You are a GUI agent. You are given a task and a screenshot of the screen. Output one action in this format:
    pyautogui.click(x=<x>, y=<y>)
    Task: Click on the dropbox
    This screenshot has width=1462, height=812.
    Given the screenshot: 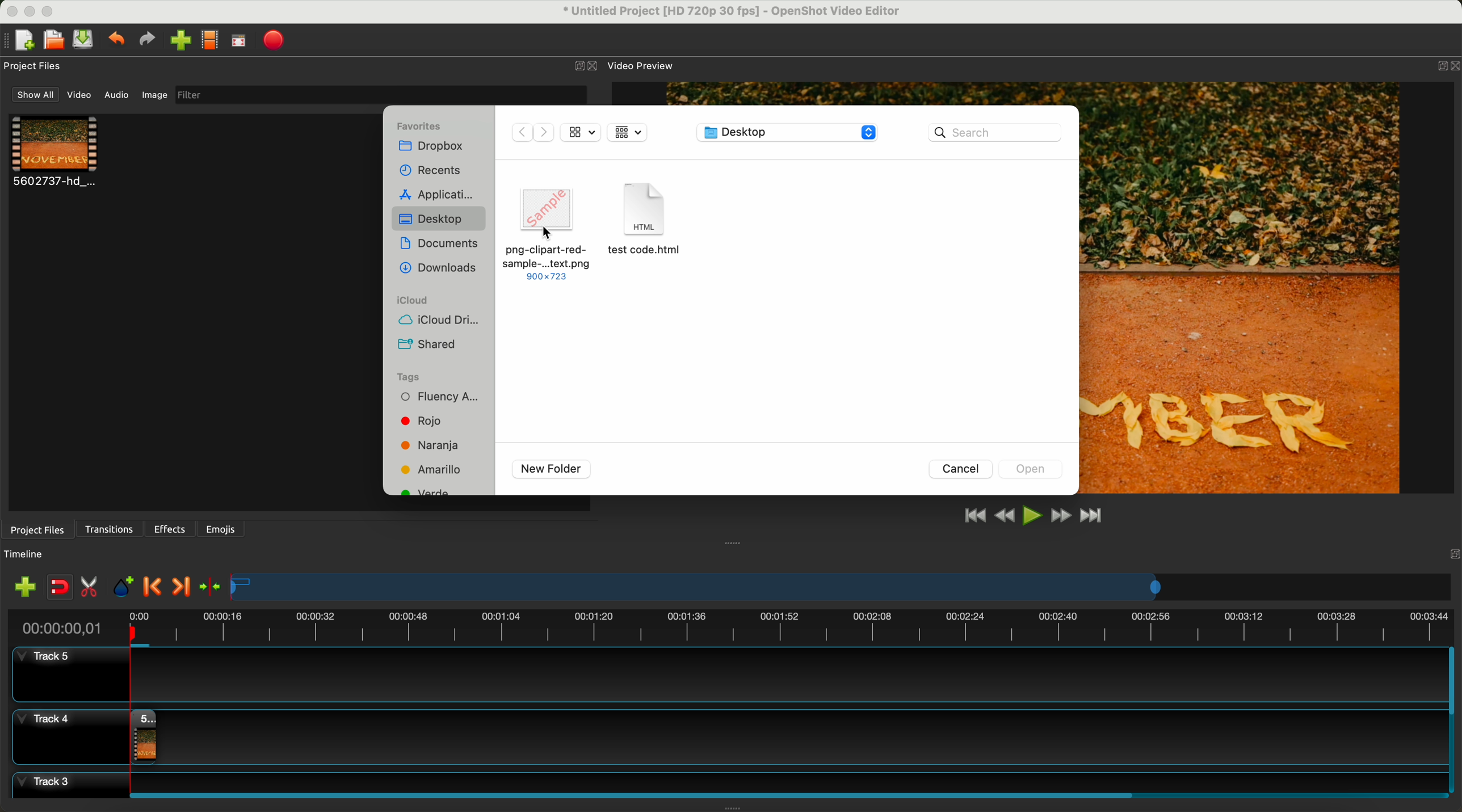 What is the action you would take?
    pyautogui.click(x=430, y=149)
    